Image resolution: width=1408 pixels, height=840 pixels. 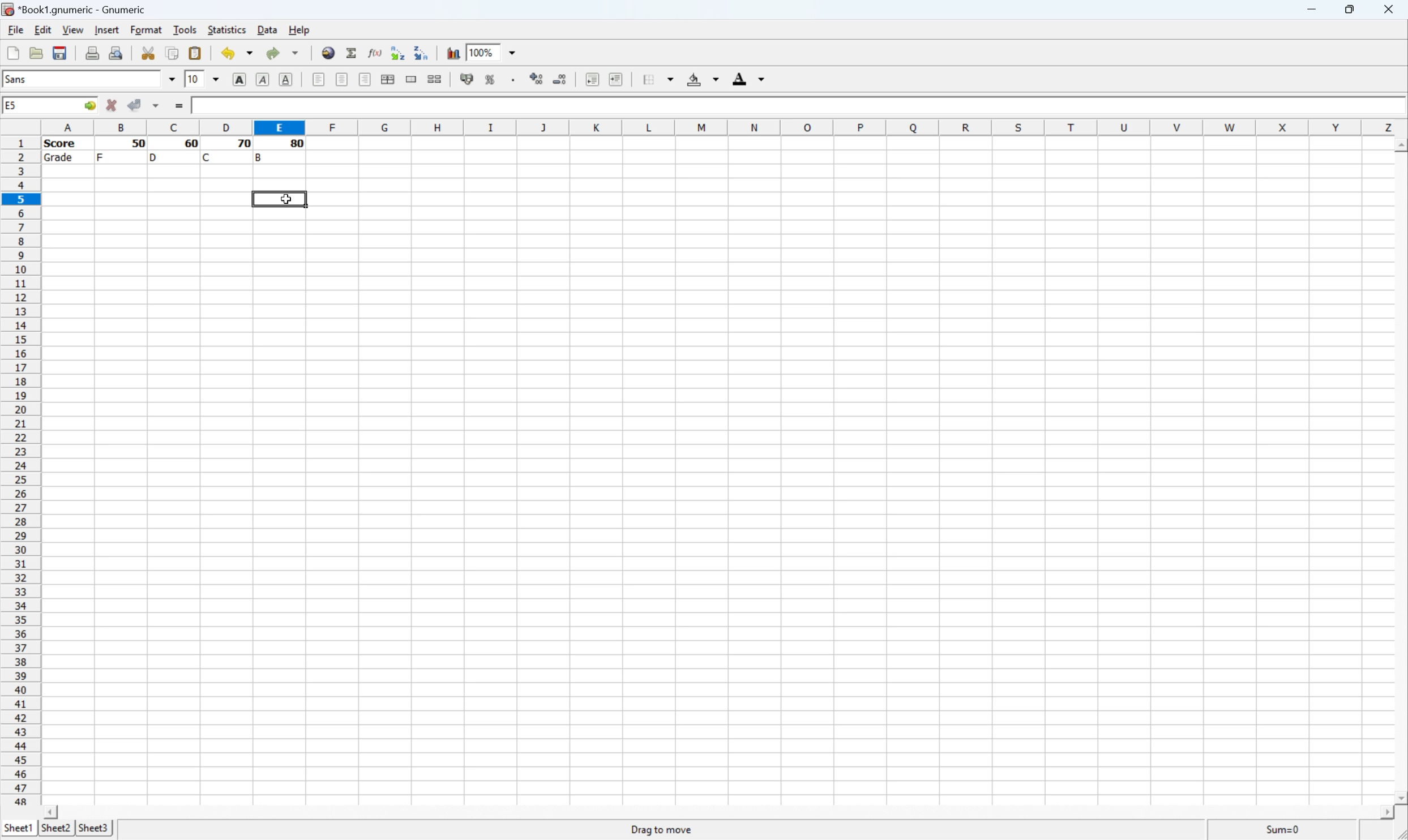 What do you see at coordinates (12, 106) in the screenshot?
I see `A1` at bounding box center [12, 106].